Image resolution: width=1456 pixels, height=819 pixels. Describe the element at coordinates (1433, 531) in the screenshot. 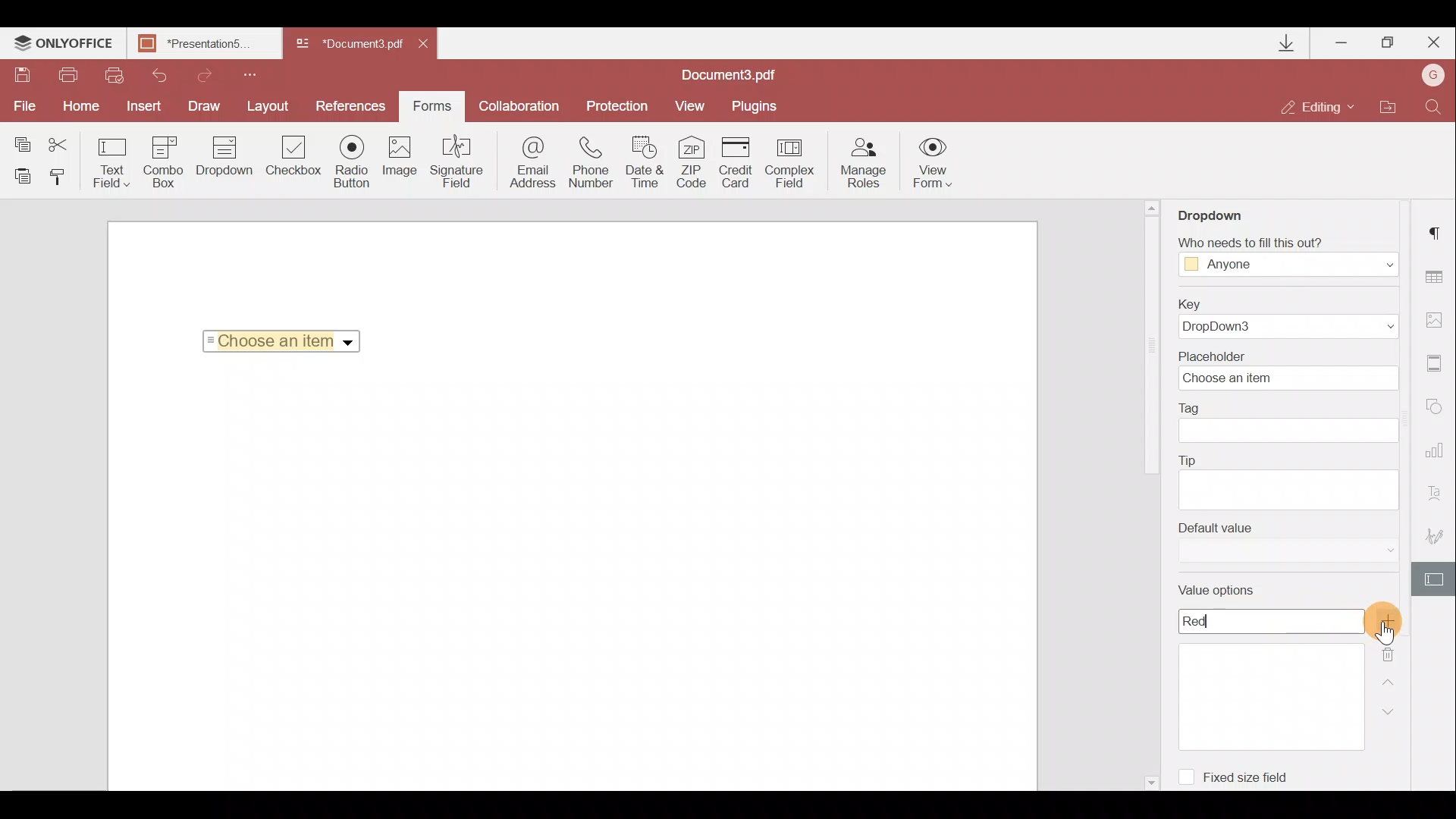

I see `Signature settings` at that location.